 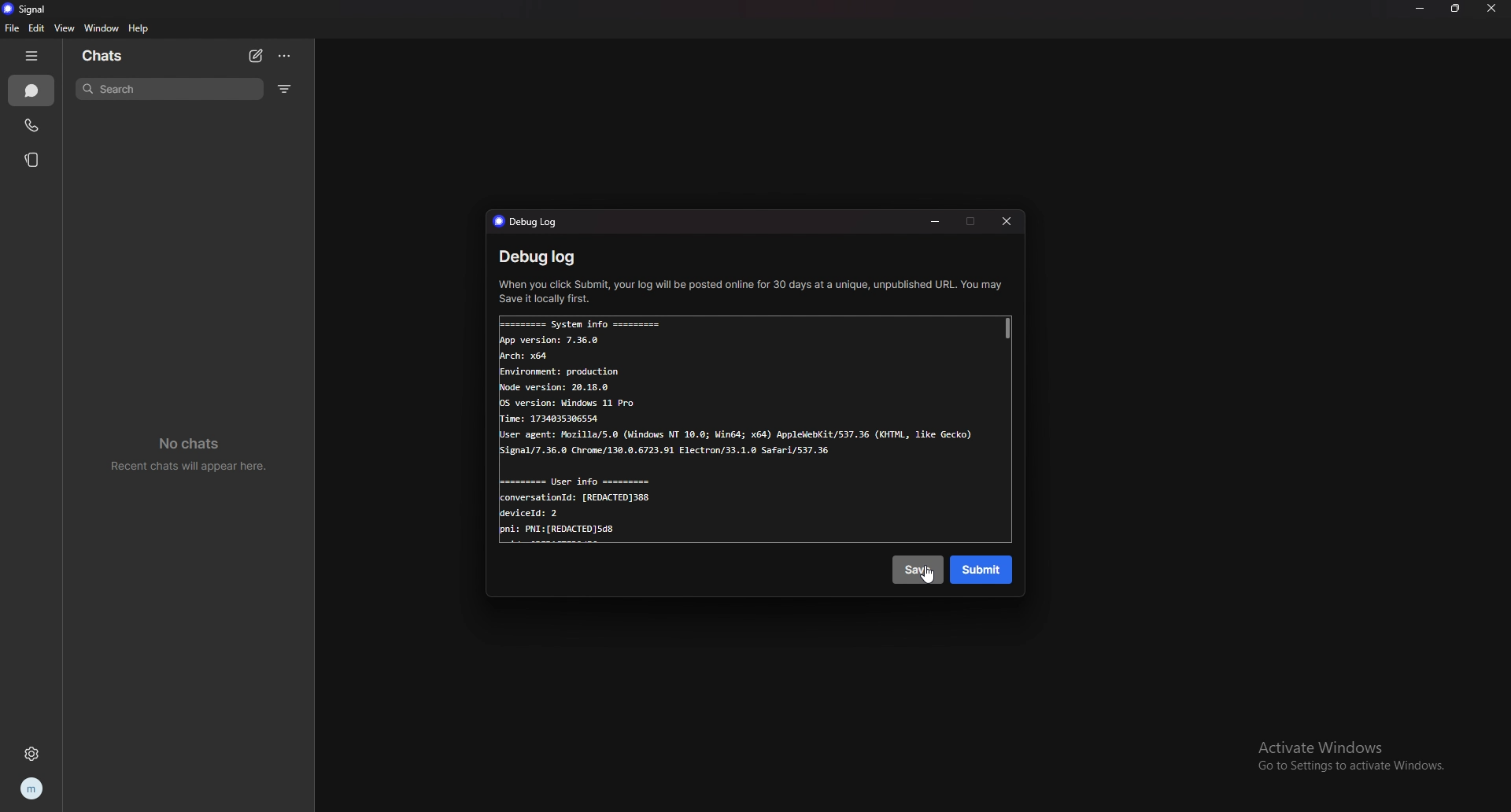 What do you see at coordinates (752, 291) in the screenshot?
I see `When you click Submit, your log will be posted online for 30 days at a unique, unpublished URL. You may
‘Save it locally first.` at bounding box center [752, 291].